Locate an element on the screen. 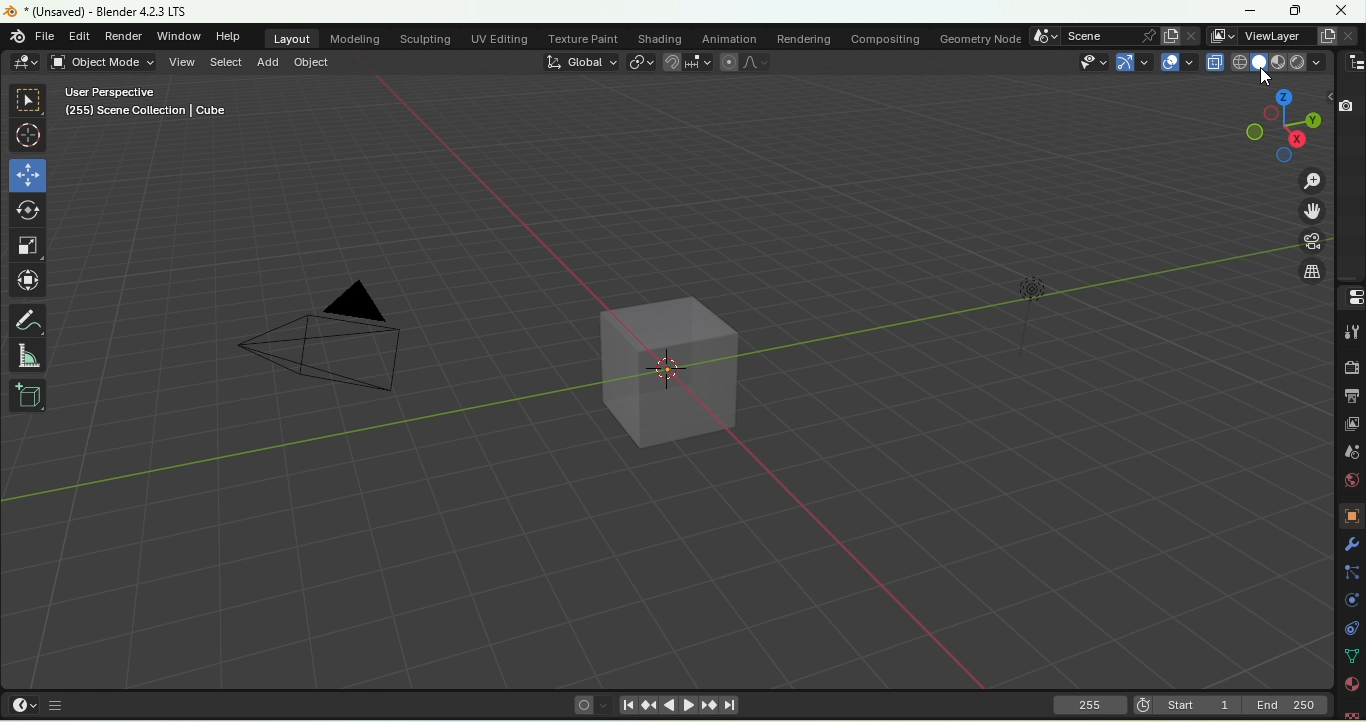 Image resolution: width=1366 pixels, height=722 pixels. Modifiers is located at coordinates (1349, 545).